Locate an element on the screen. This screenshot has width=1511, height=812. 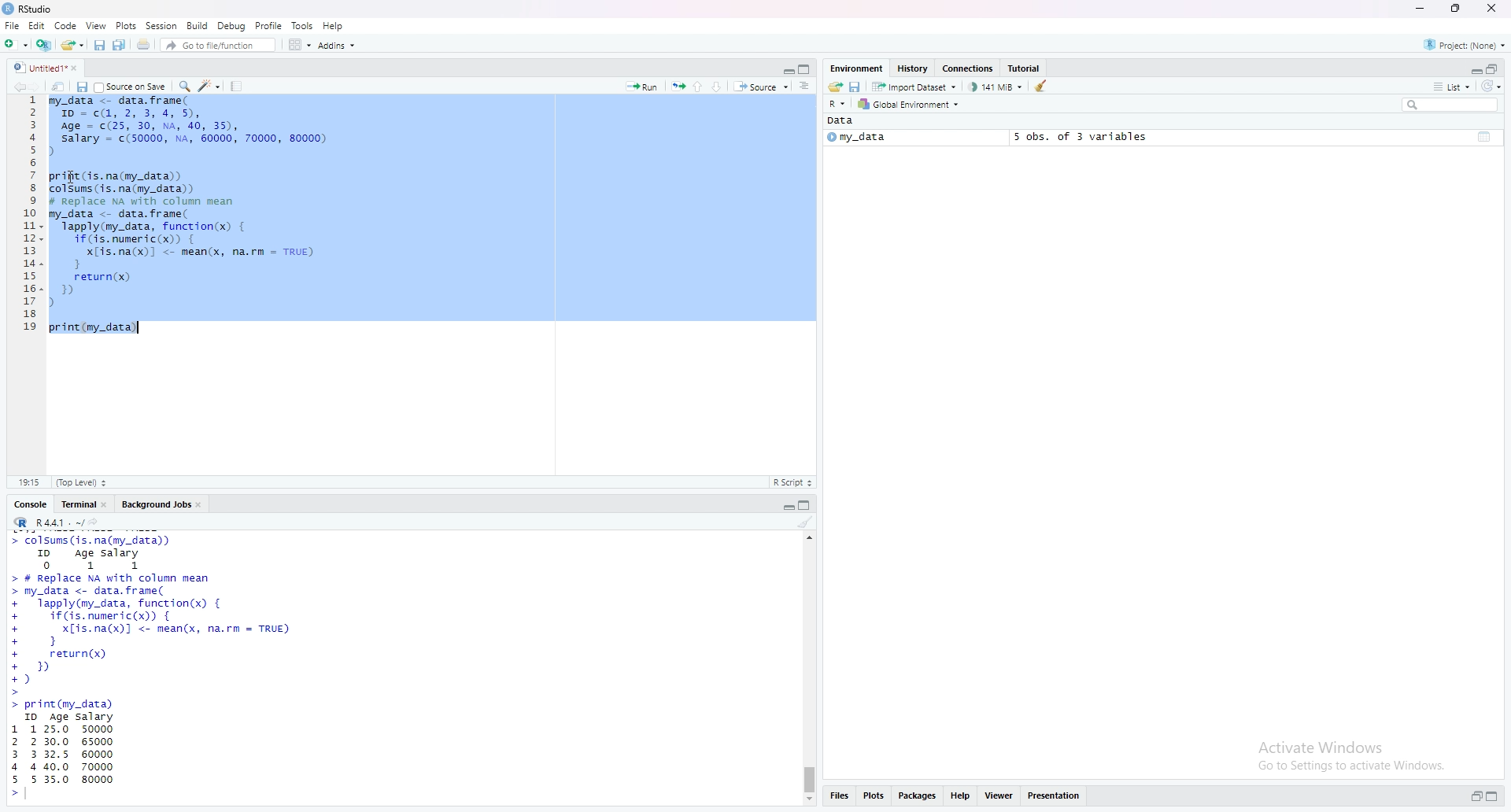
Data is located at coordinates (841, 121).